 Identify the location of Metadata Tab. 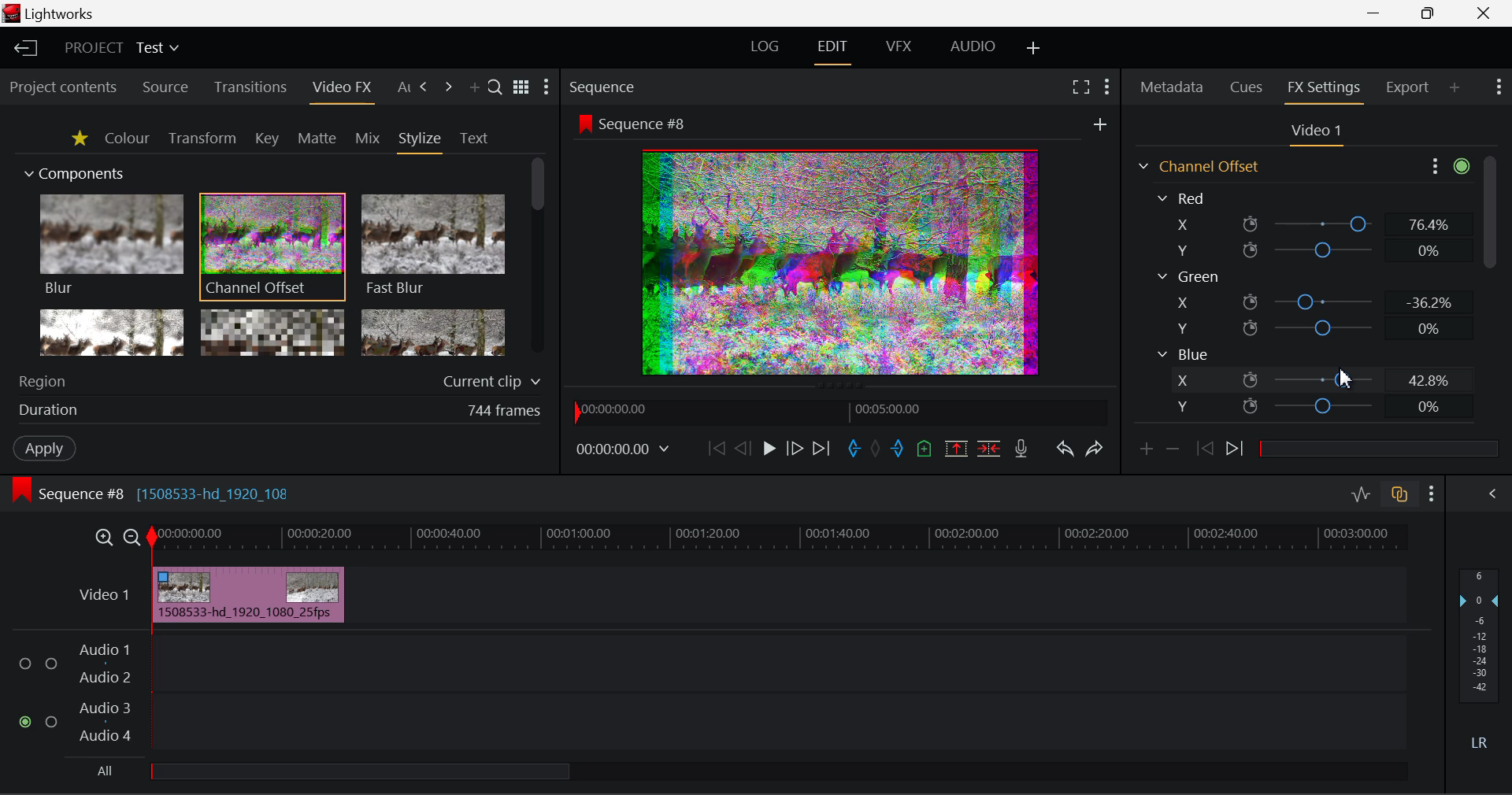
(1170, 87).